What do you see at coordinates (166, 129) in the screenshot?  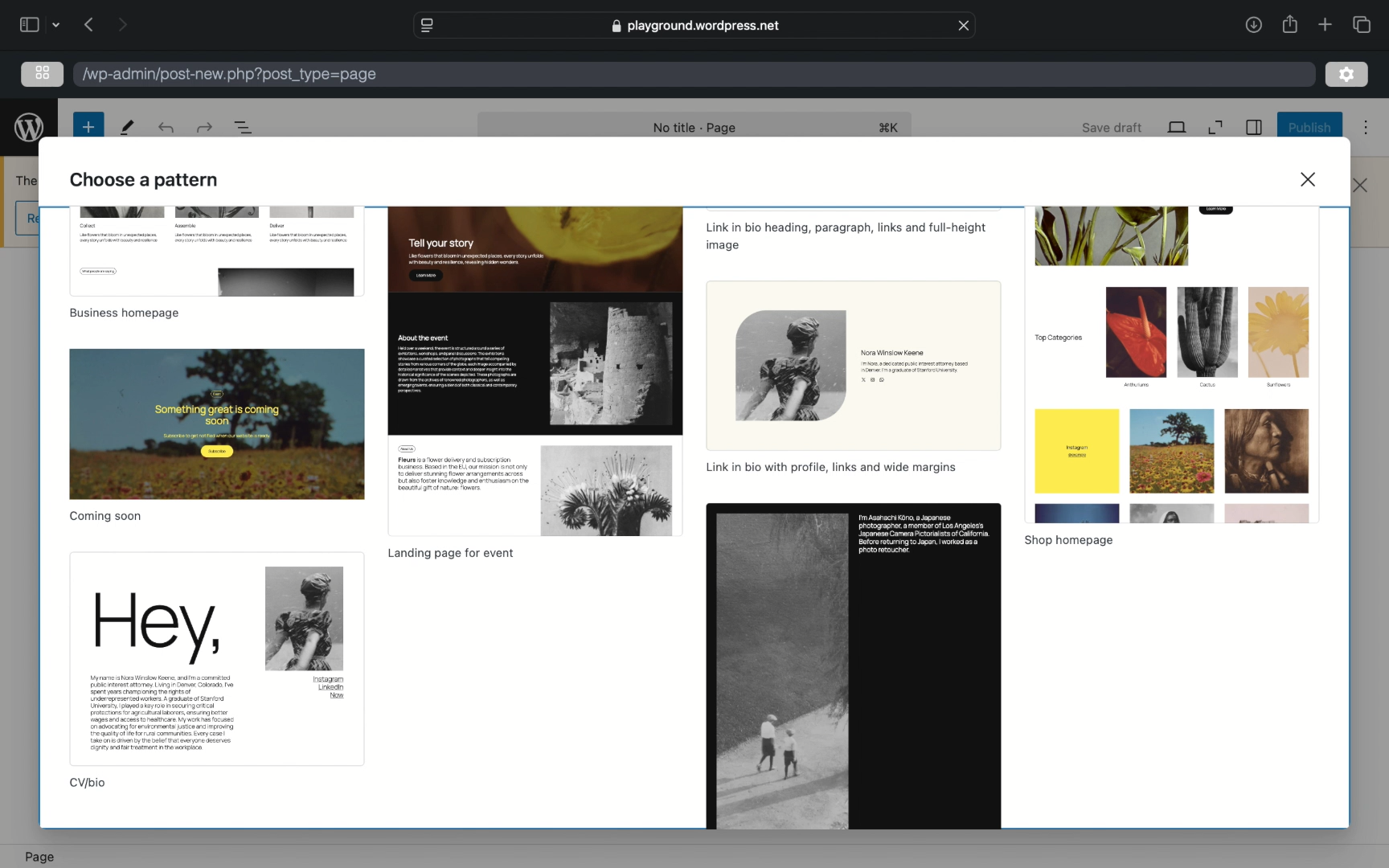 I see `redo` at bounding box center [166, 129].